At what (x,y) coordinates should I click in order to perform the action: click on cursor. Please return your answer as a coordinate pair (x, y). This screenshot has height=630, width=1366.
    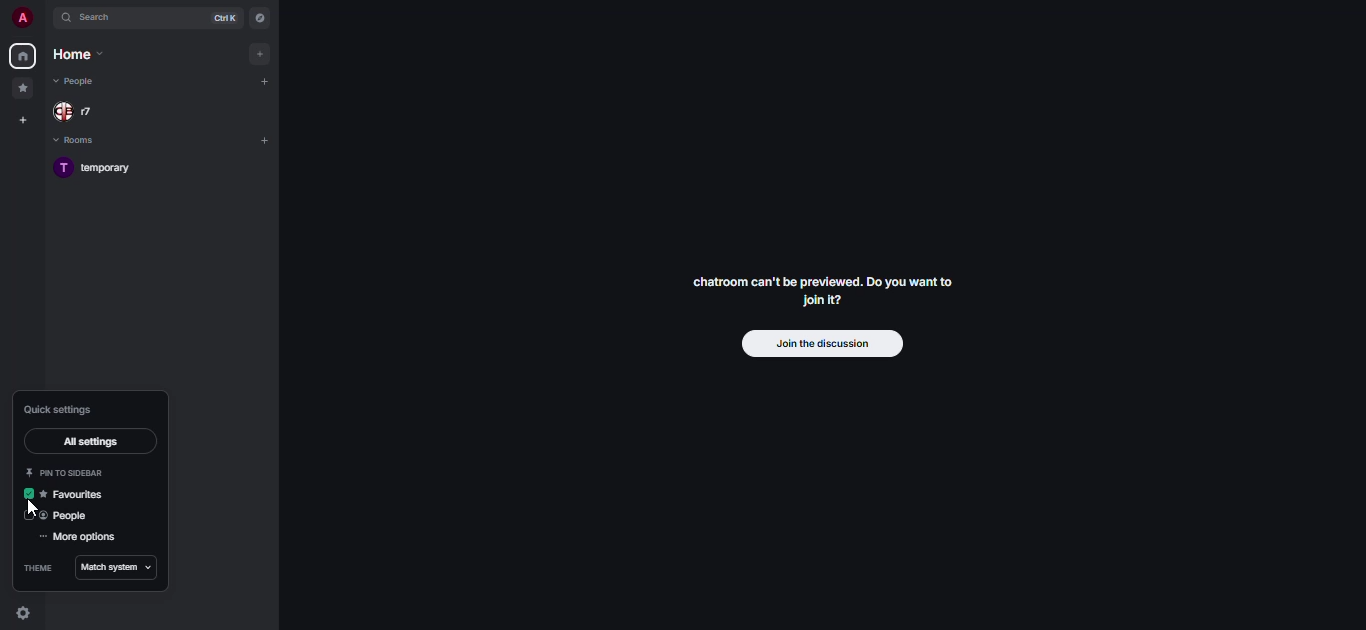
    Looking at the image, I should click on (35, 508).